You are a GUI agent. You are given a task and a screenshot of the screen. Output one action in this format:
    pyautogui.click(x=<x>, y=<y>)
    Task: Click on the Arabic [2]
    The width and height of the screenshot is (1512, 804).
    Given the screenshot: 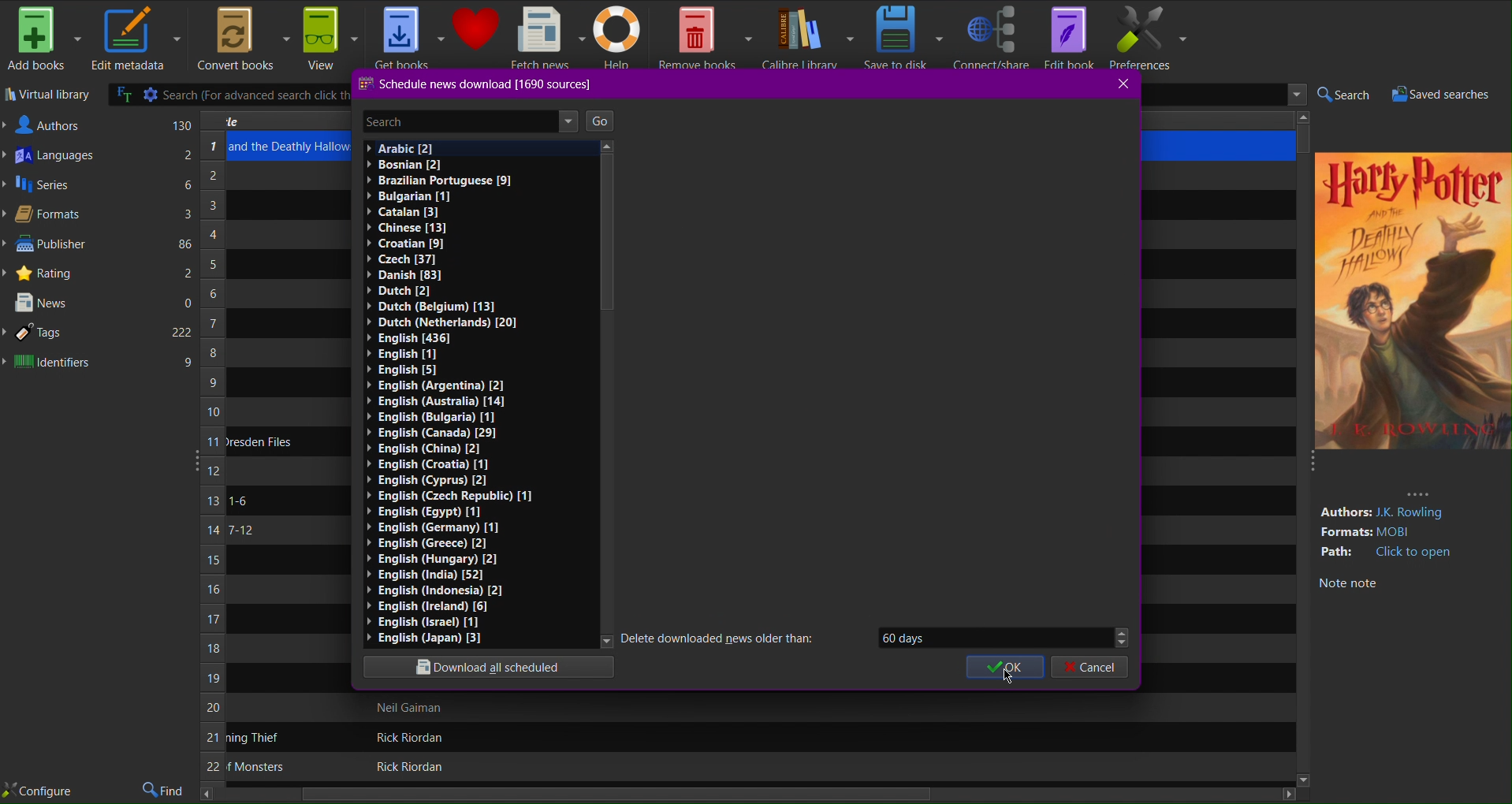 What is the action you would take?
    pyautogui.click(x=398, y=148)
    